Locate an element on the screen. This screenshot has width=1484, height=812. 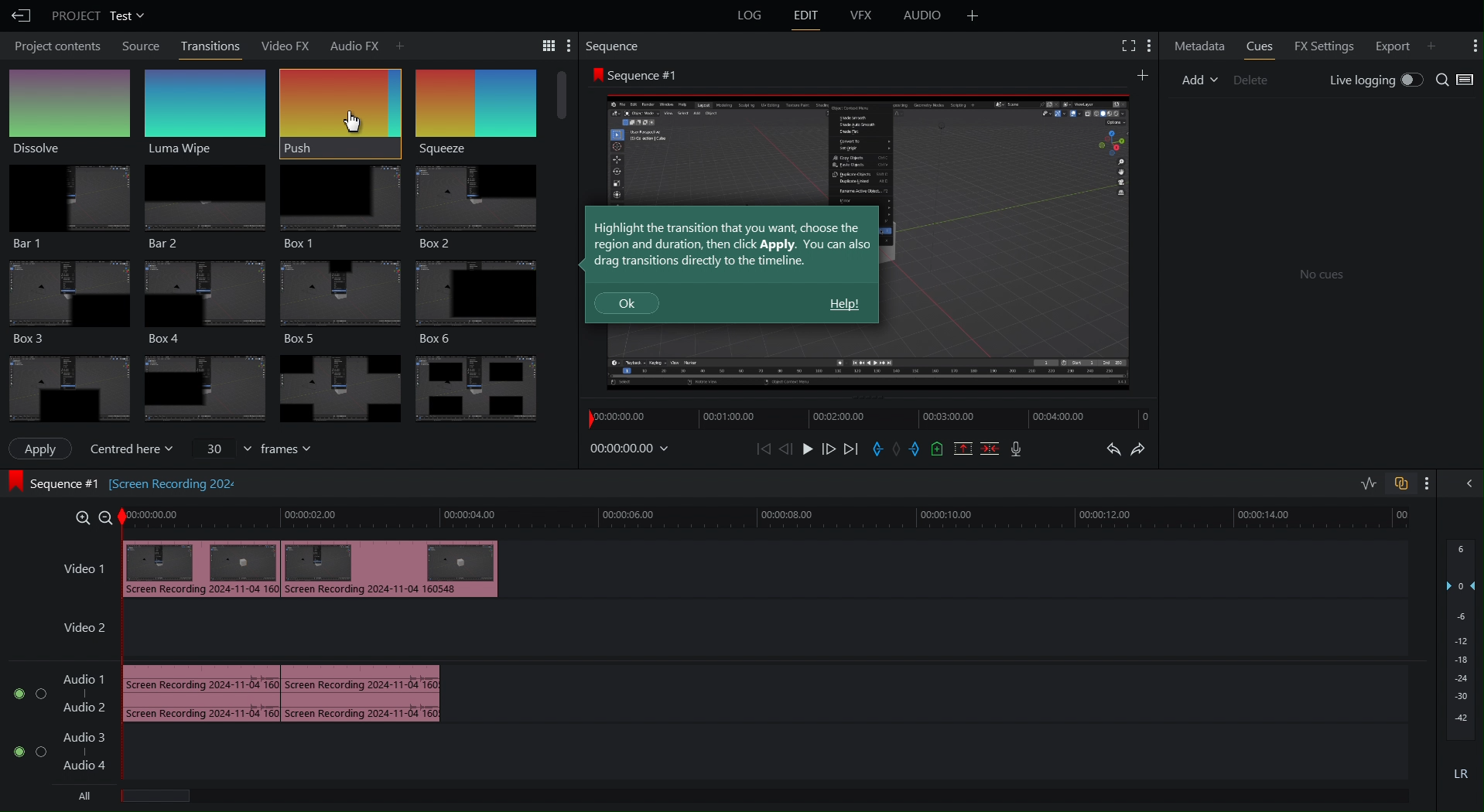
Add is located at coordinates (1431, 46).